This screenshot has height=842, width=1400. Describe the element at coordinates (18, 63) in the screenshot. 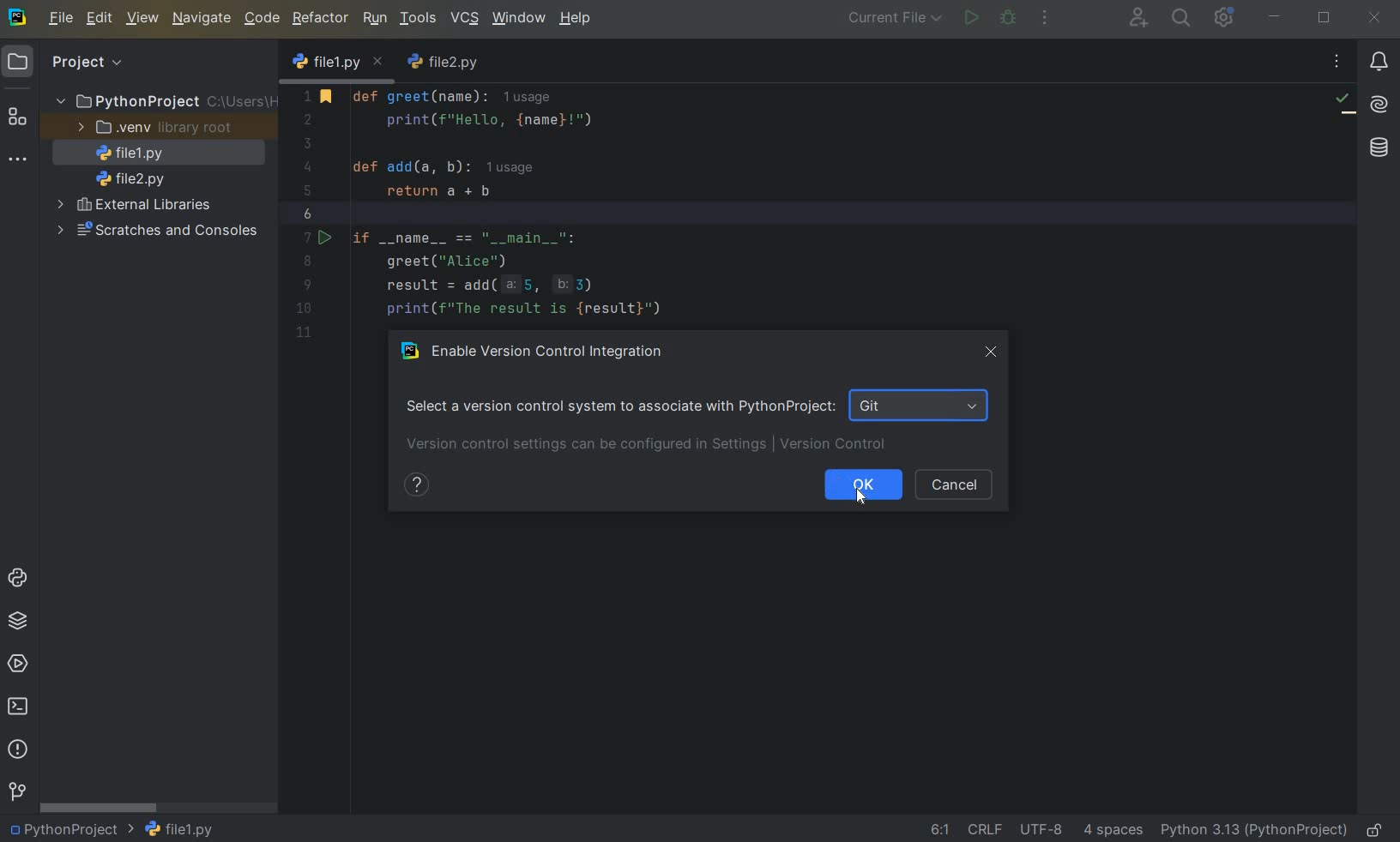

I see `Project icon` at that location.